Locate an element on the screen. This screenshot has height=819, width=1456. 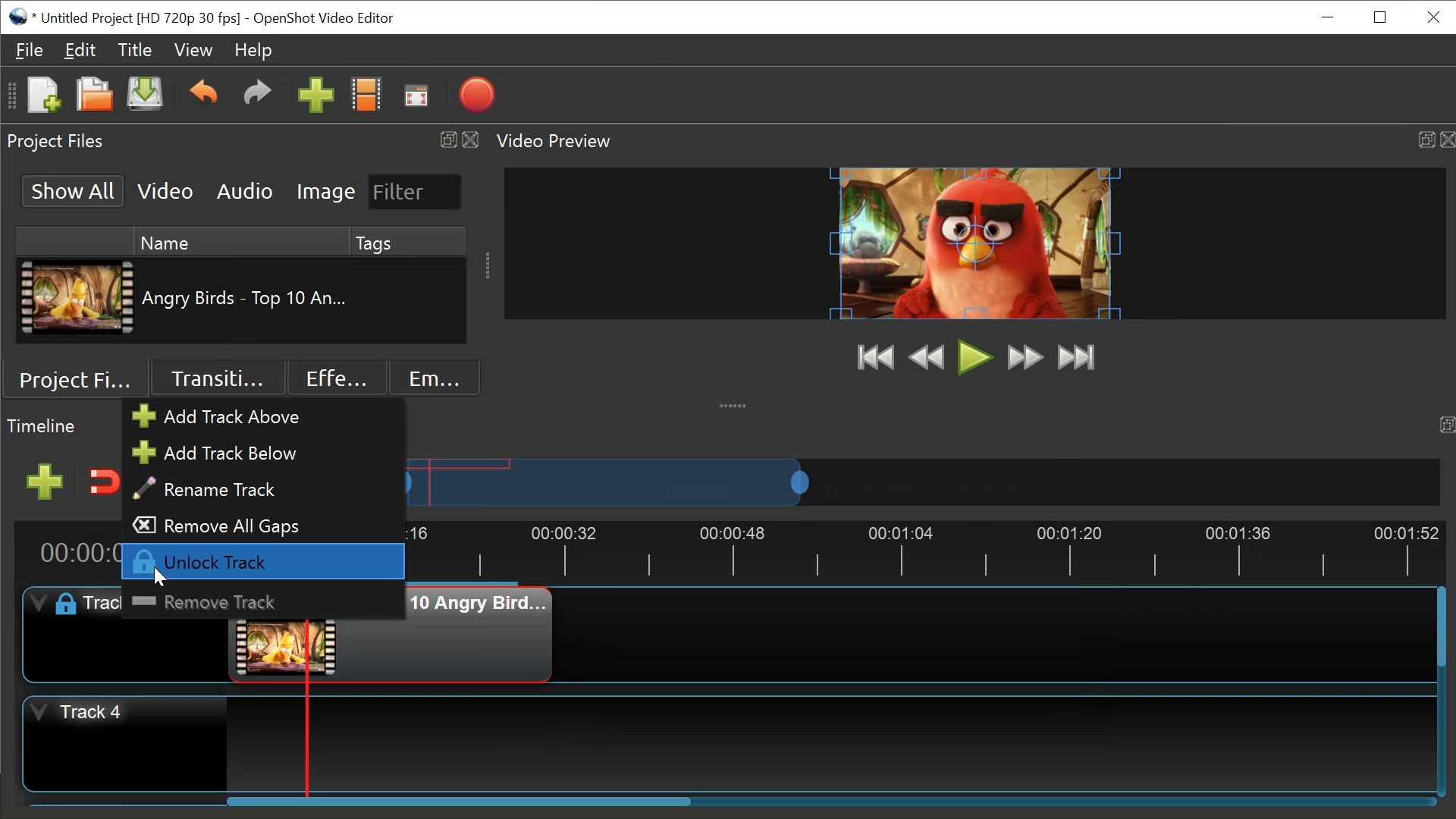
timeline is located at coordinates (1439, 425).